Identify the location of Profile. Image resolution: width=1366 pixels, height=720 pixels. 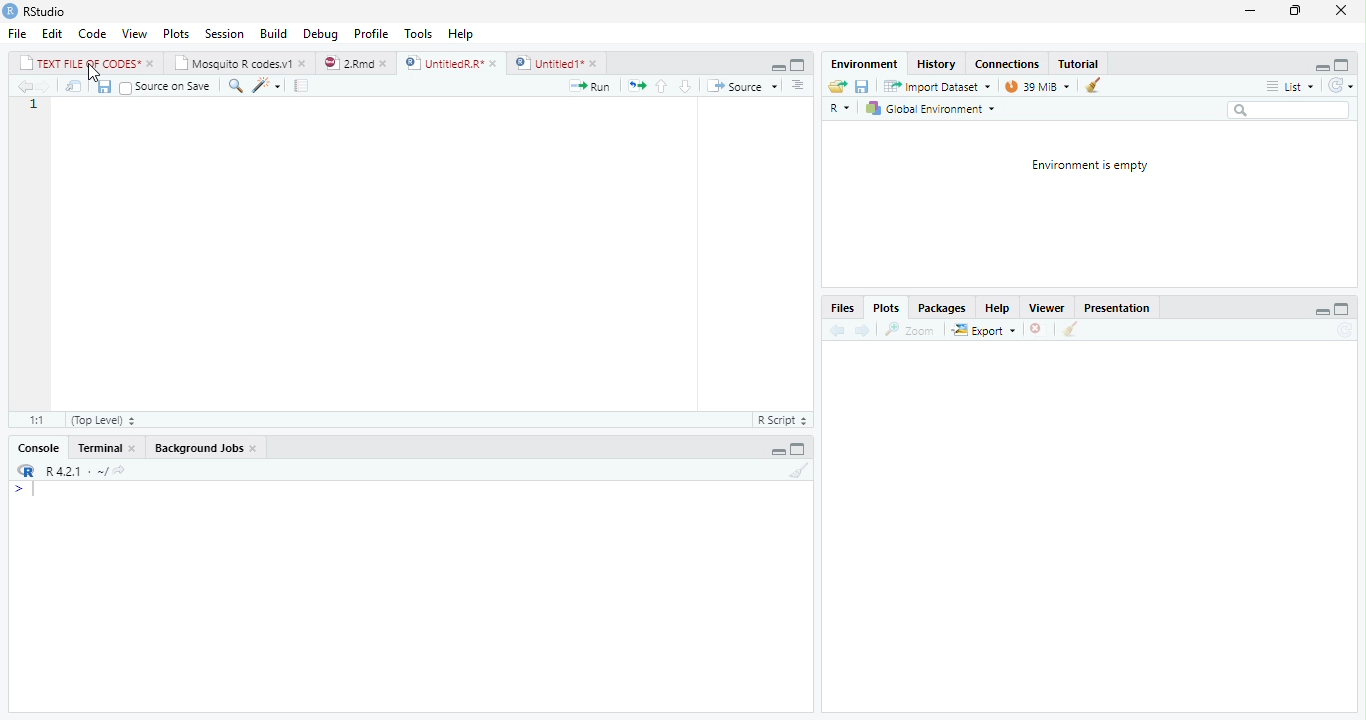
(372, 33).